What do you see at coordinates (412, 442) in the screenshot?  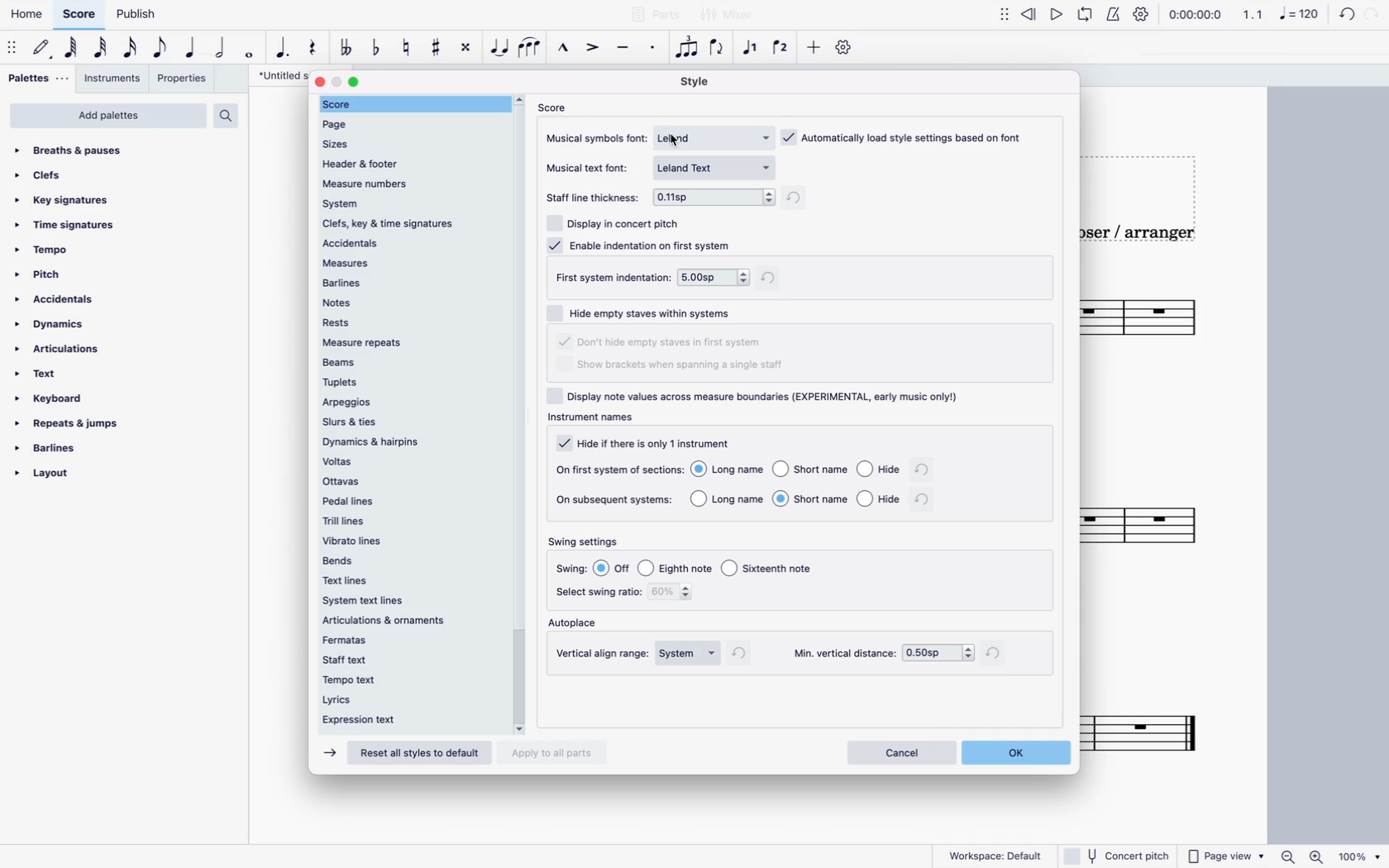 I see `dynamics & harpins` at bounding box center [412, 442].